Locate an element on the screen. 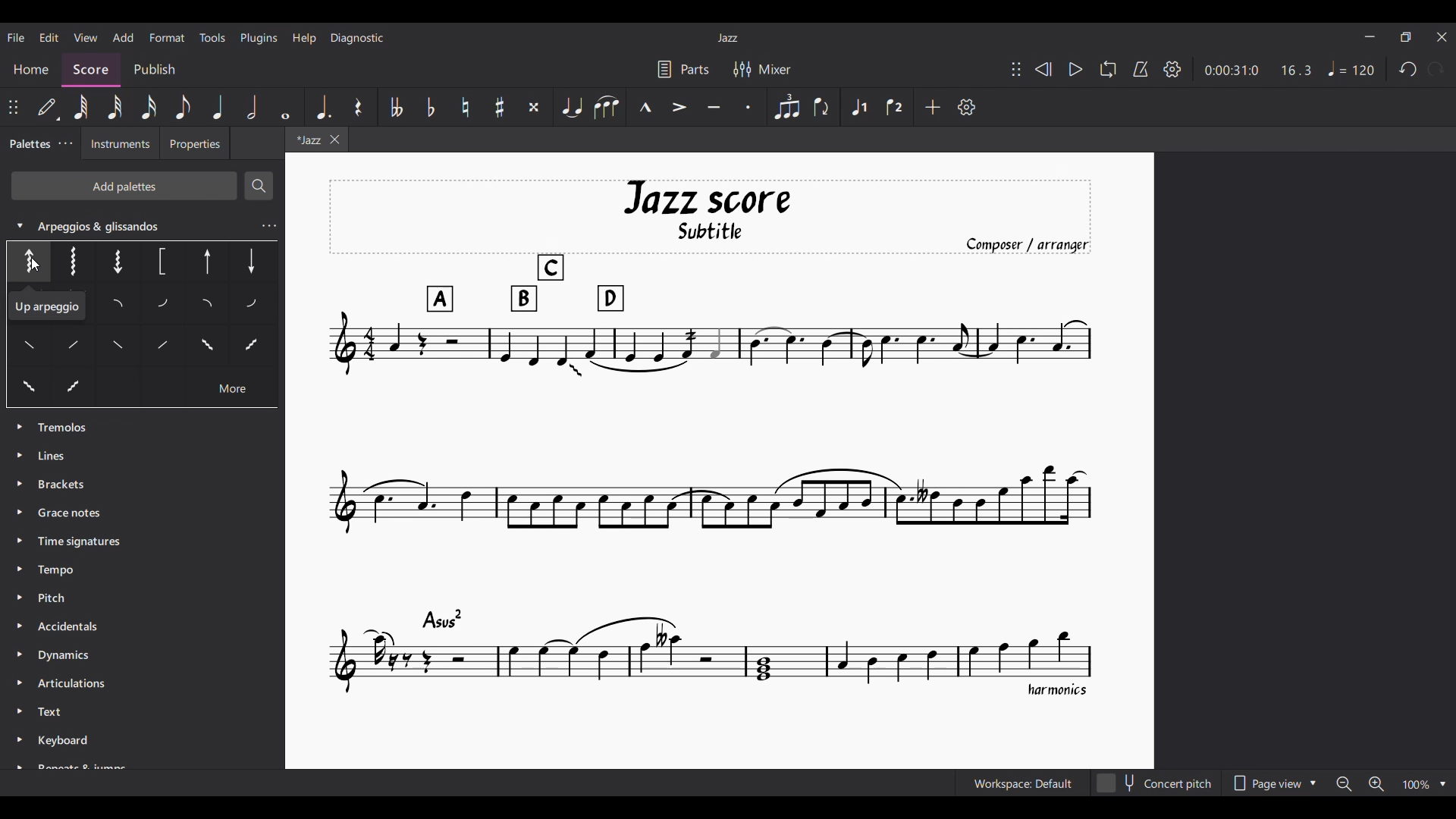 The height and width of the screenshot is (819, 1456). Add palettes is located at coordinates (124, 186).